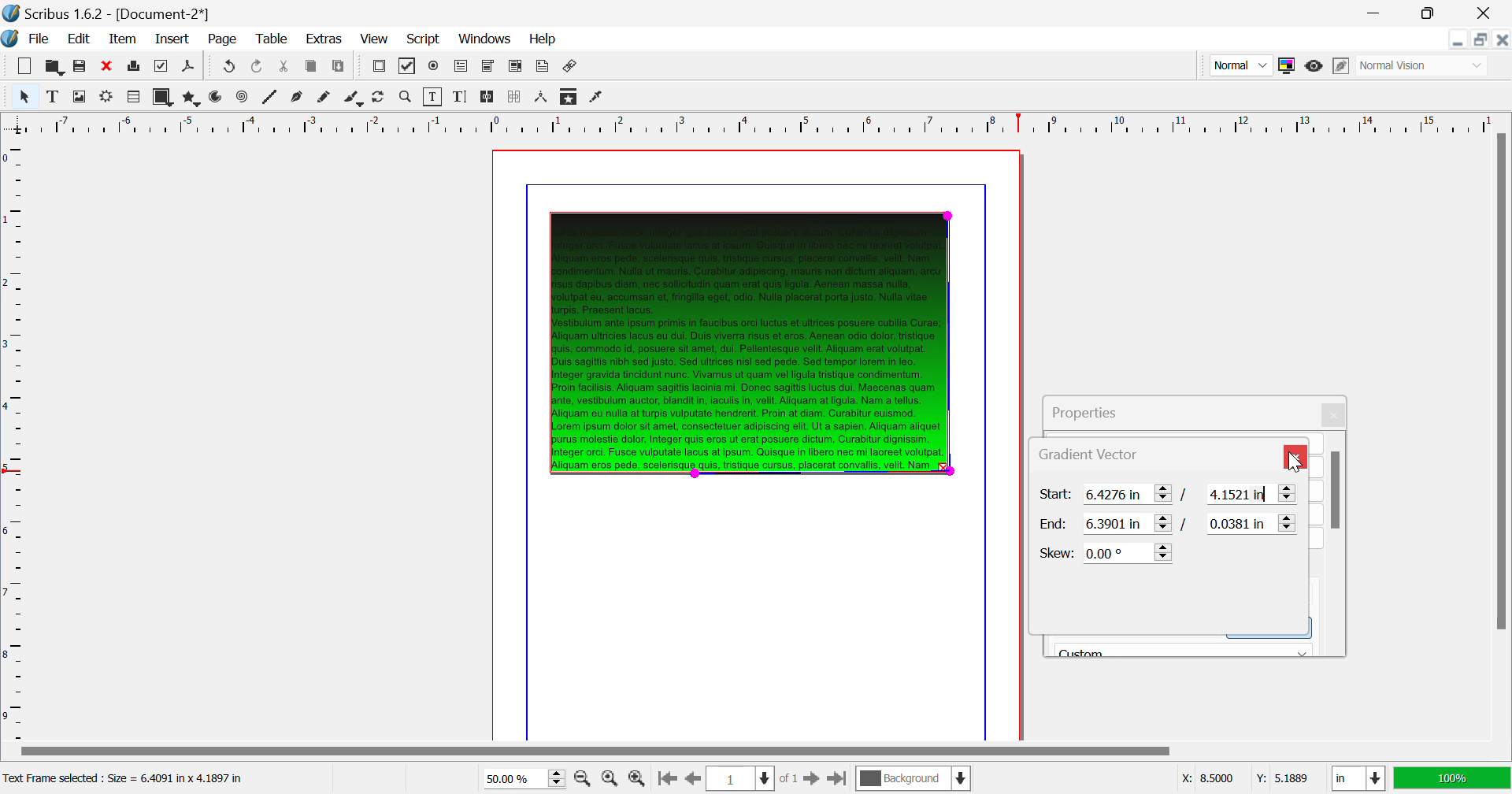  What do you see at coordinates (1502, 435) in the screenshot?
I see `Scroll Bar` at bounding box center [1502, 435].